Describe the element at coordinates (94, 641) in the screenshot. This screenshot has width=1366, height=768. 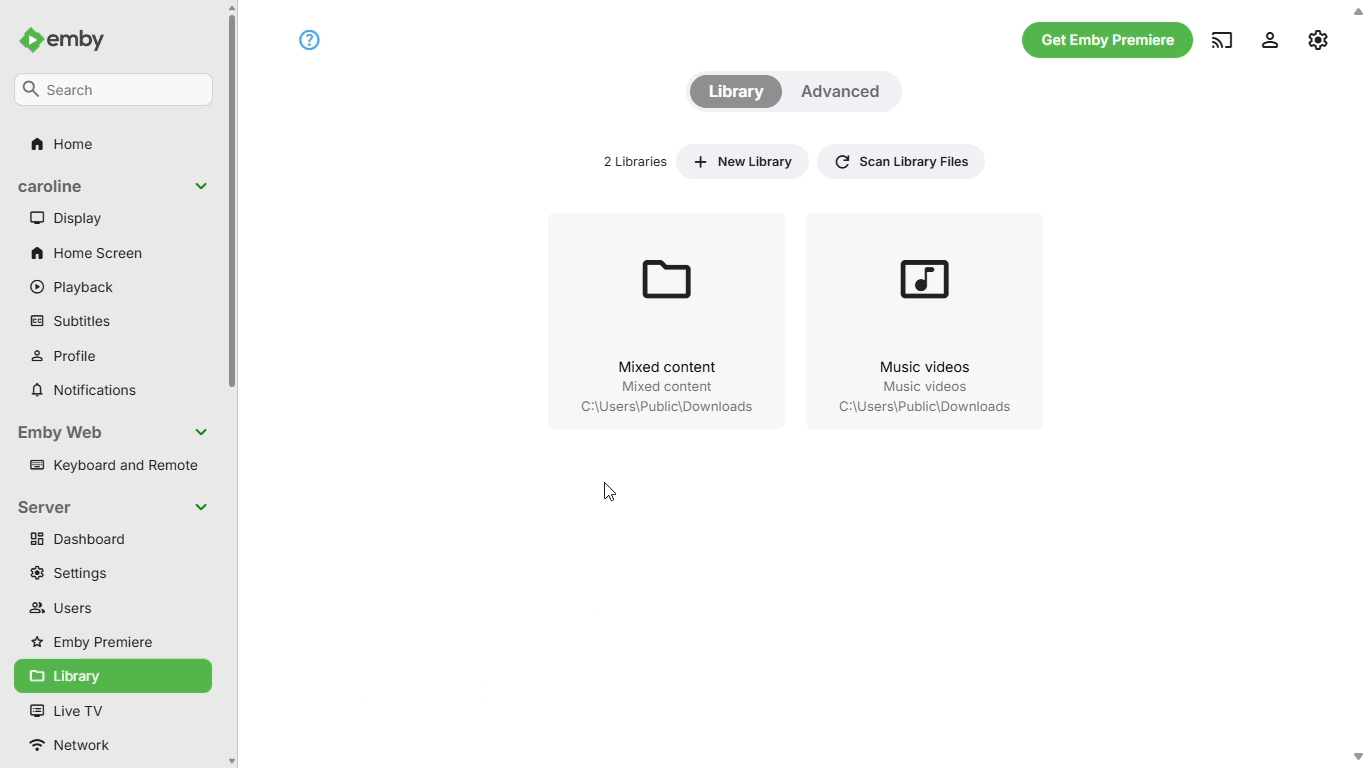
I see `emby premiere` at that location.